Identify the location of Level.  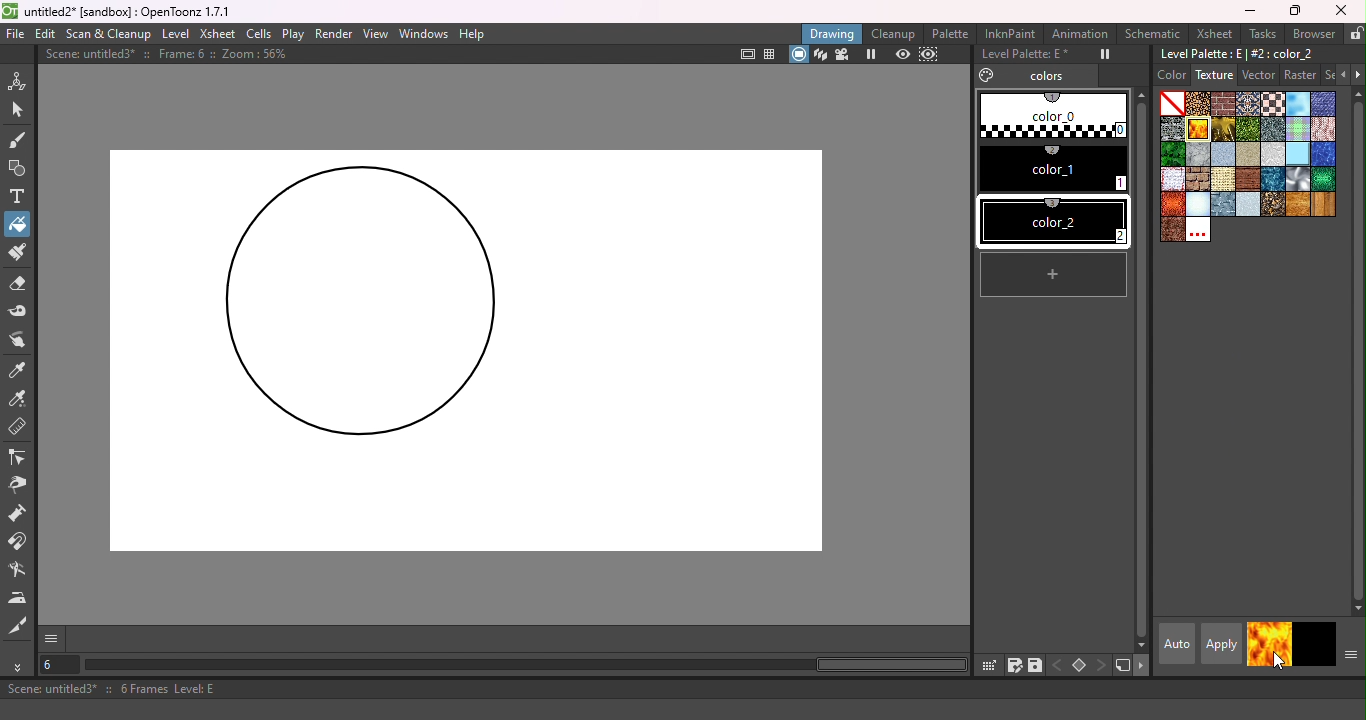
(177, 33).